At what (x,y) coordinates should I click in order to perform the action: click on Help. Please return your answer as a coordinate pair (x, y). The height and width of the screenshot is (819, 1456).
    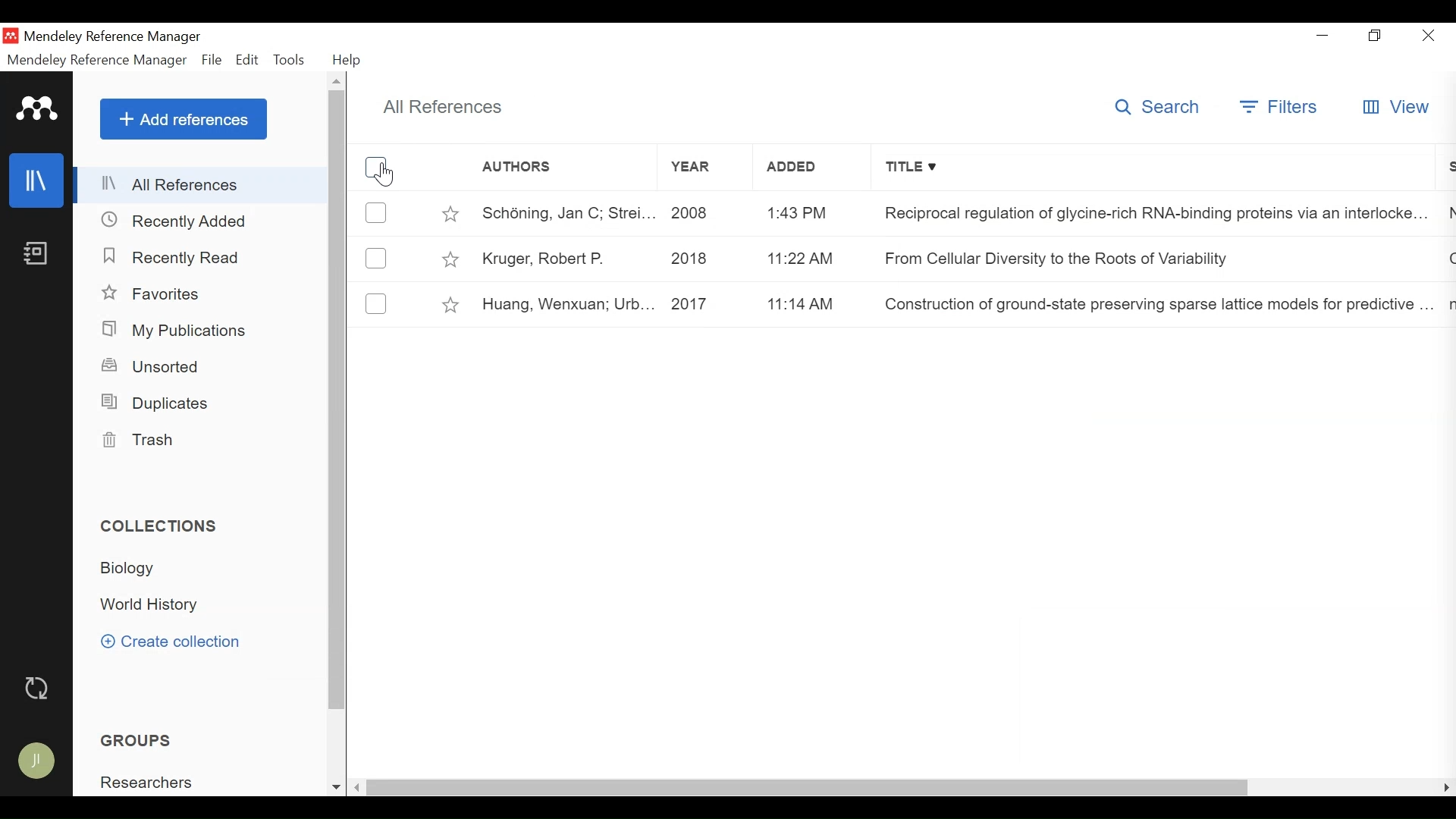
    Looking at the image, I should click on (350, 60).